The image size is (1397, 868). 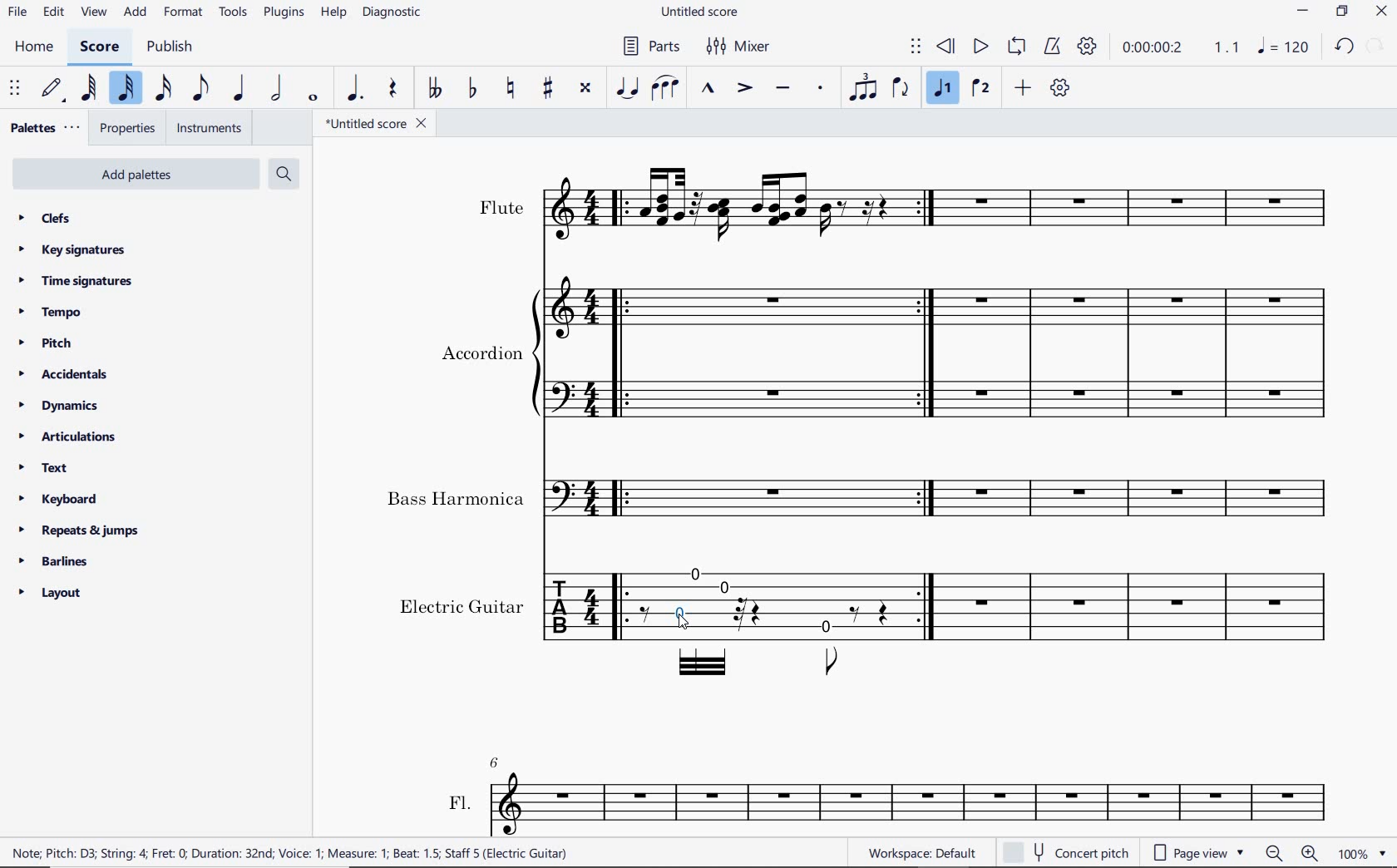 What do you see at coordinates (943, 87) in the screenshot?
I see `voice1` at bounding box center [943, 87].